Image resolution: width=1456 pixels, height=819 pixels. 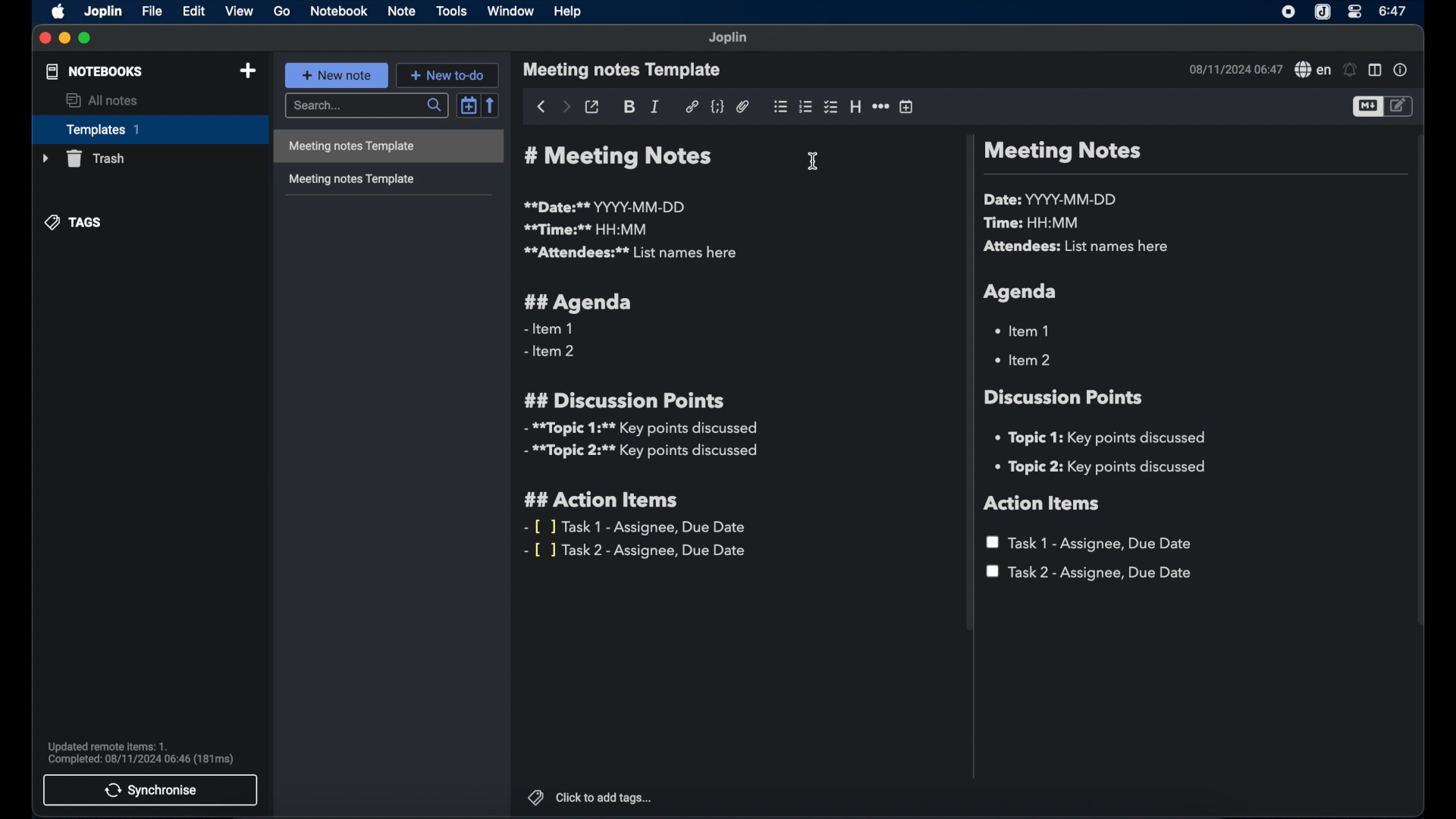 I want to click on Joplin, so click(x=1322, y=12).